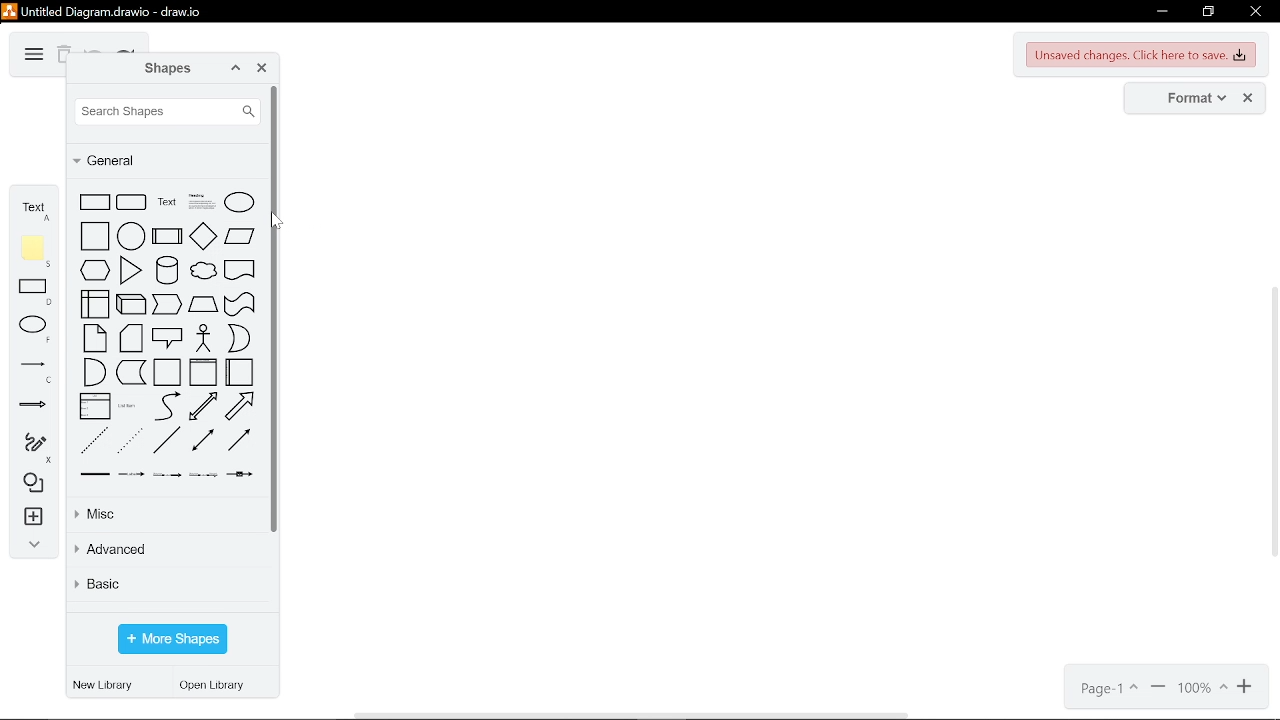 The image size is (1280, 720). I want to click on general, so click(168, 161).